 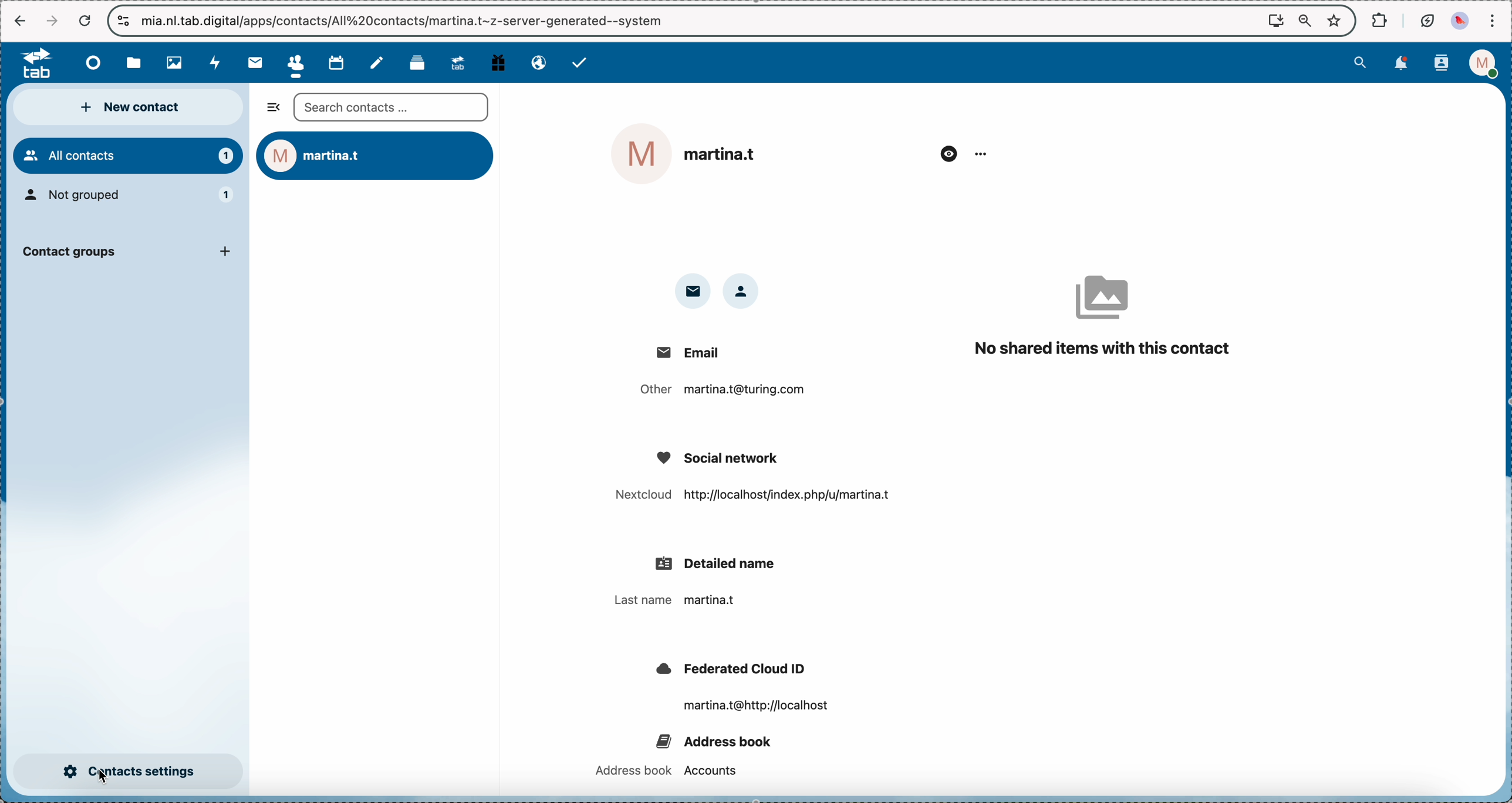 What do you see at coordinates (131, 197) in the screenshot?
I see `not grouped` at bounding box center [131, 197].